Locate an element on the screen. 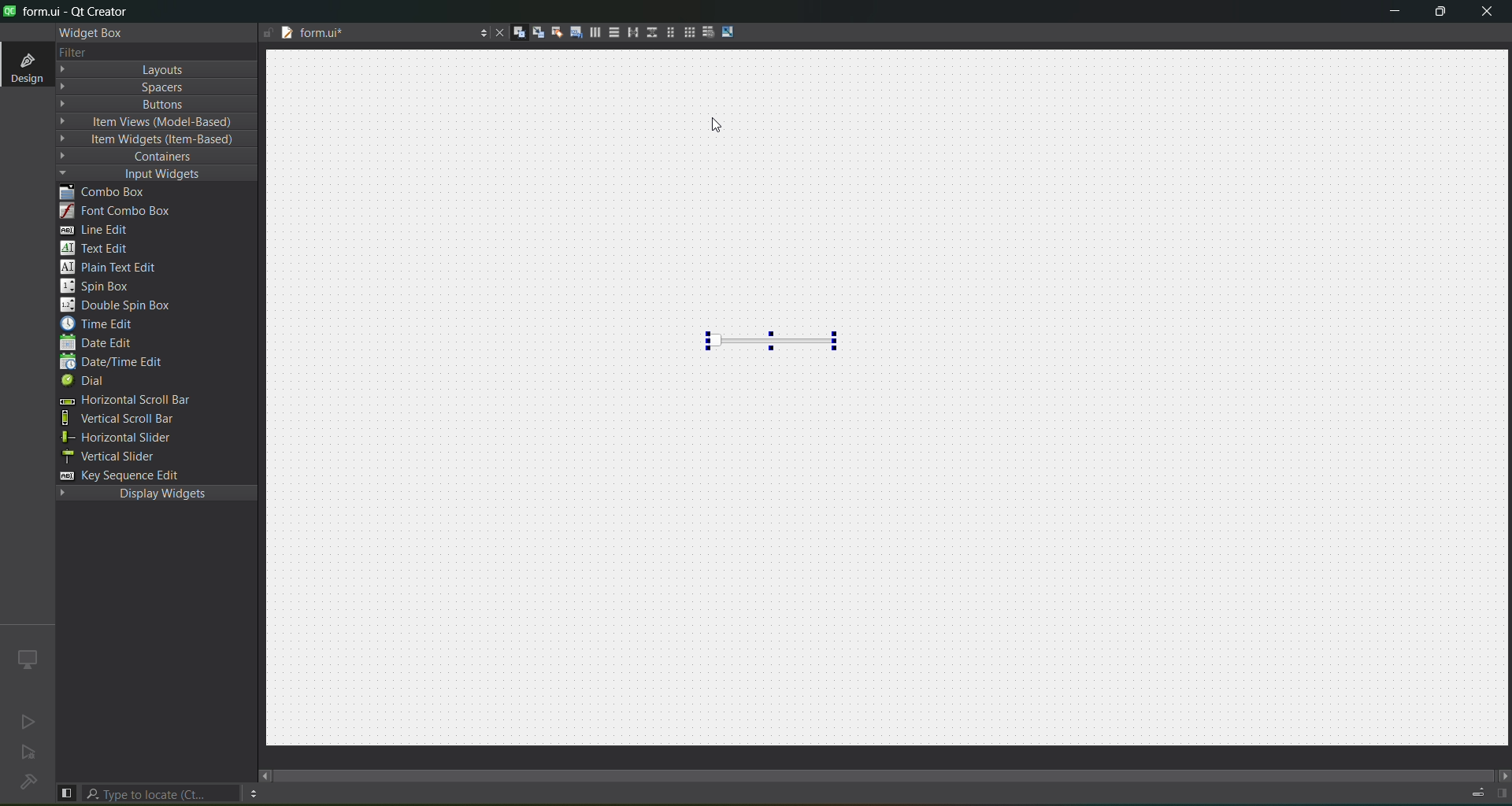  vertical scroll bar is located at coordinates (125, 421).